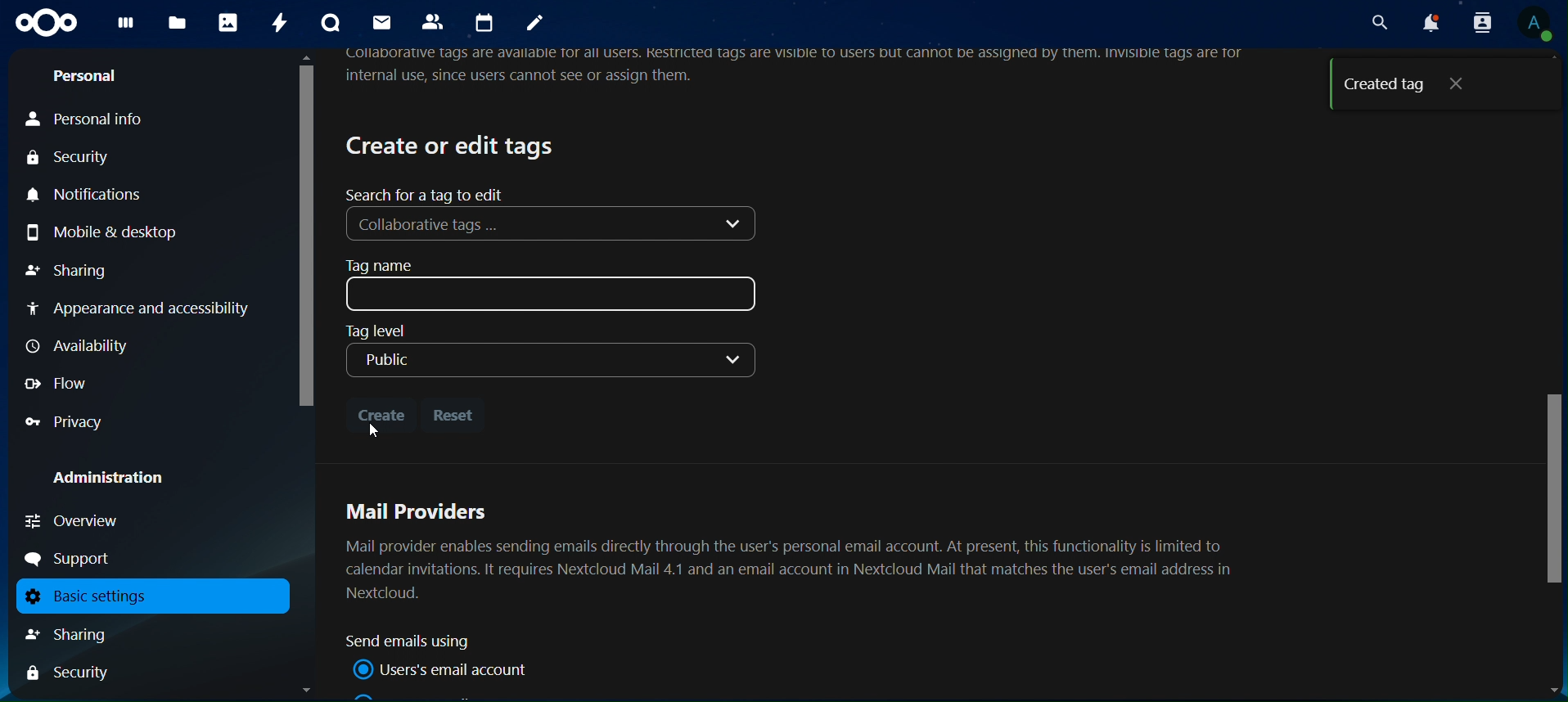 Image resolution: width=1568 pixels, height=702 pixels. What do you see at coordinates (125, 231) in the screenshot?
I see `mobile & desktop` at bounding box center [125, 231].